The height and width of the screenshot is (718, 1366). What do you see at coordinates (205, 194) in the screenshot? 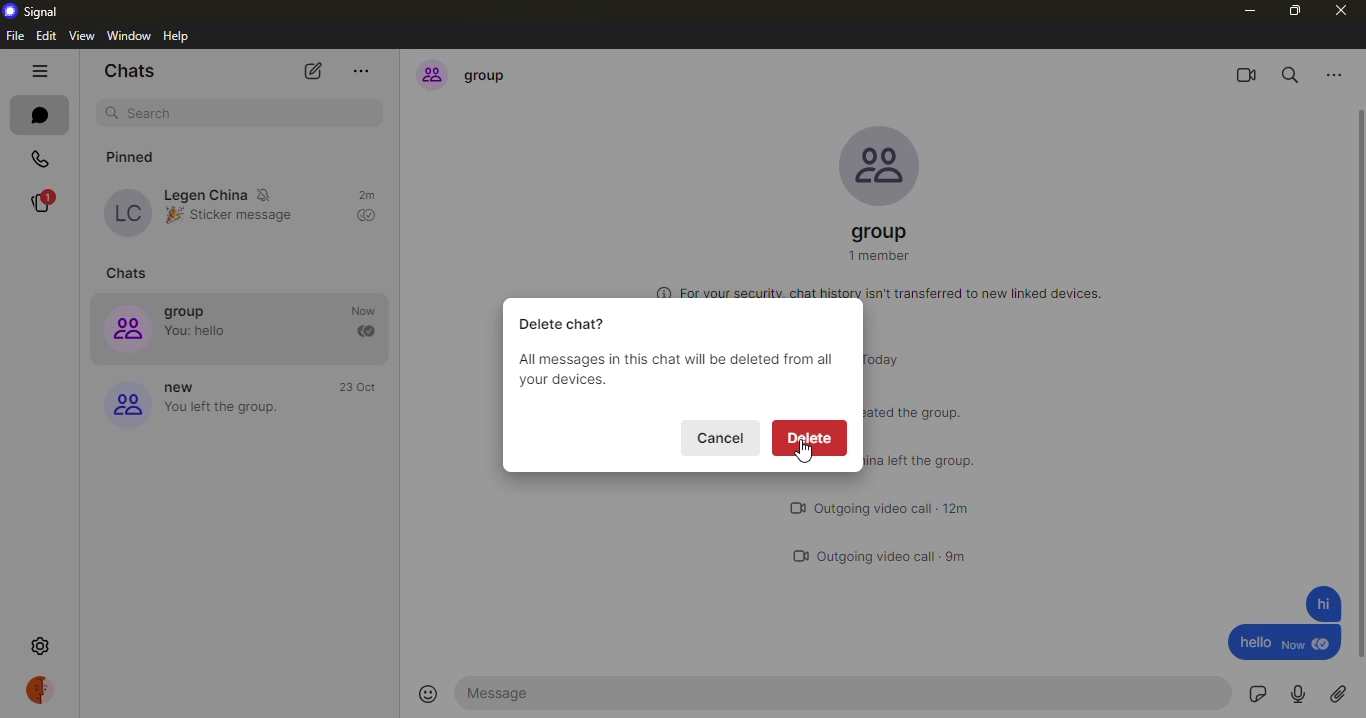
I see `Legen China` at bounding box center [205, 194].